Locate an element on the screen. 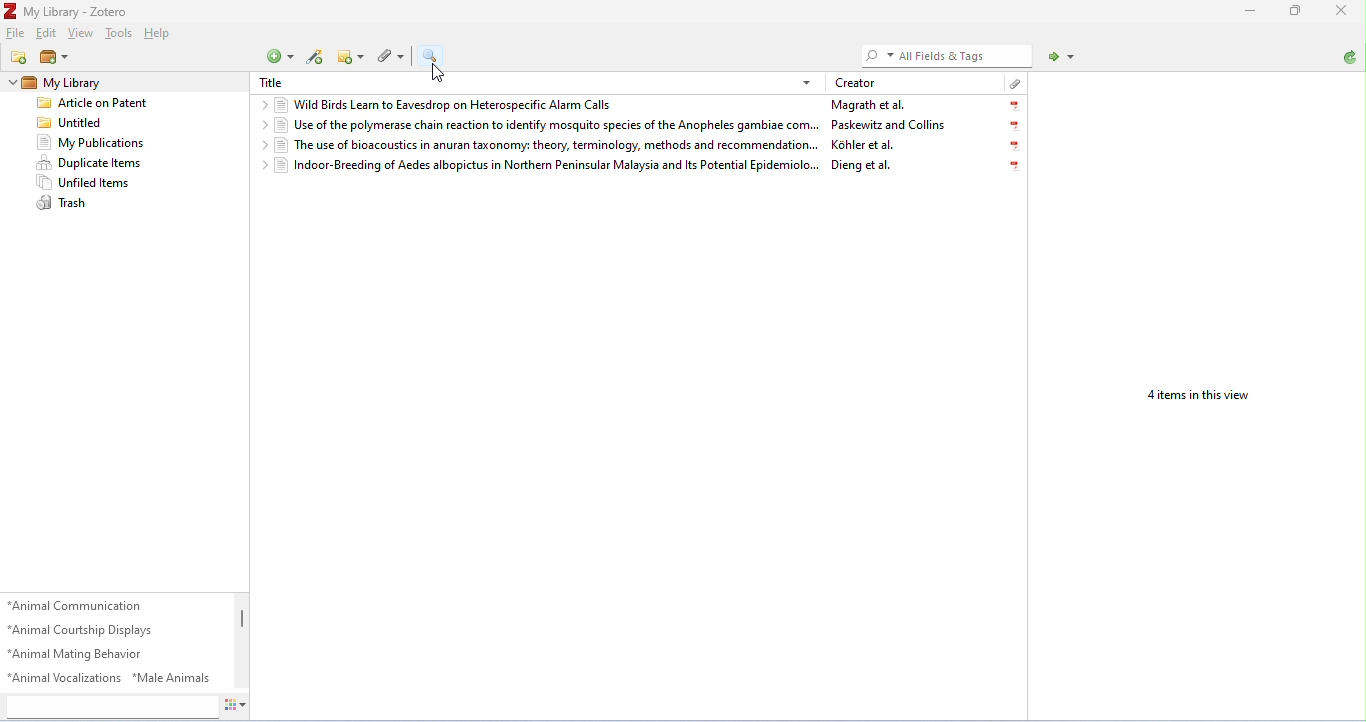  pdf icon is located at coordinates (1016, 126).